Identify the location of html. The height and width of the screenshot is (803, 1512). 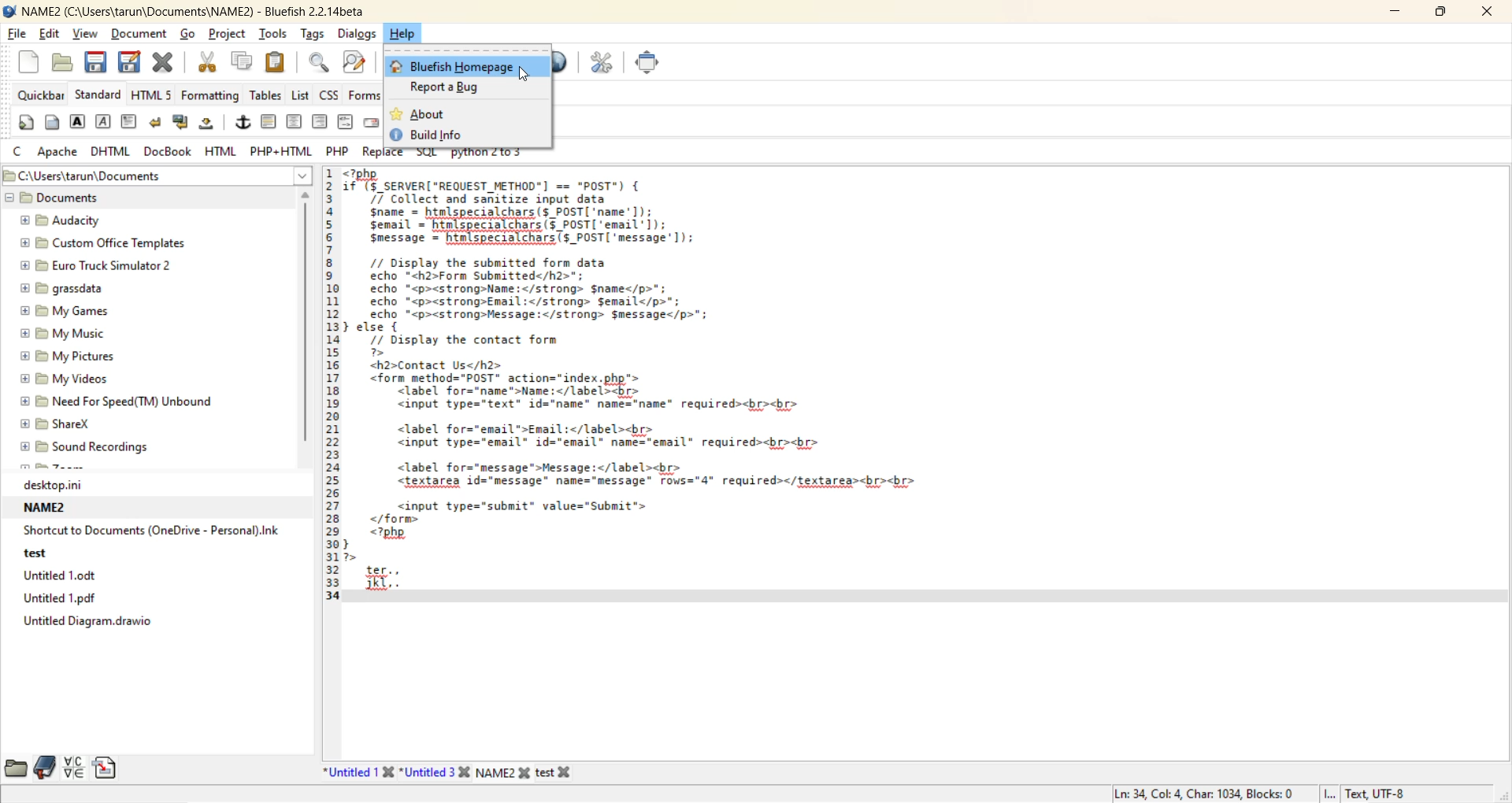
(222, 149).